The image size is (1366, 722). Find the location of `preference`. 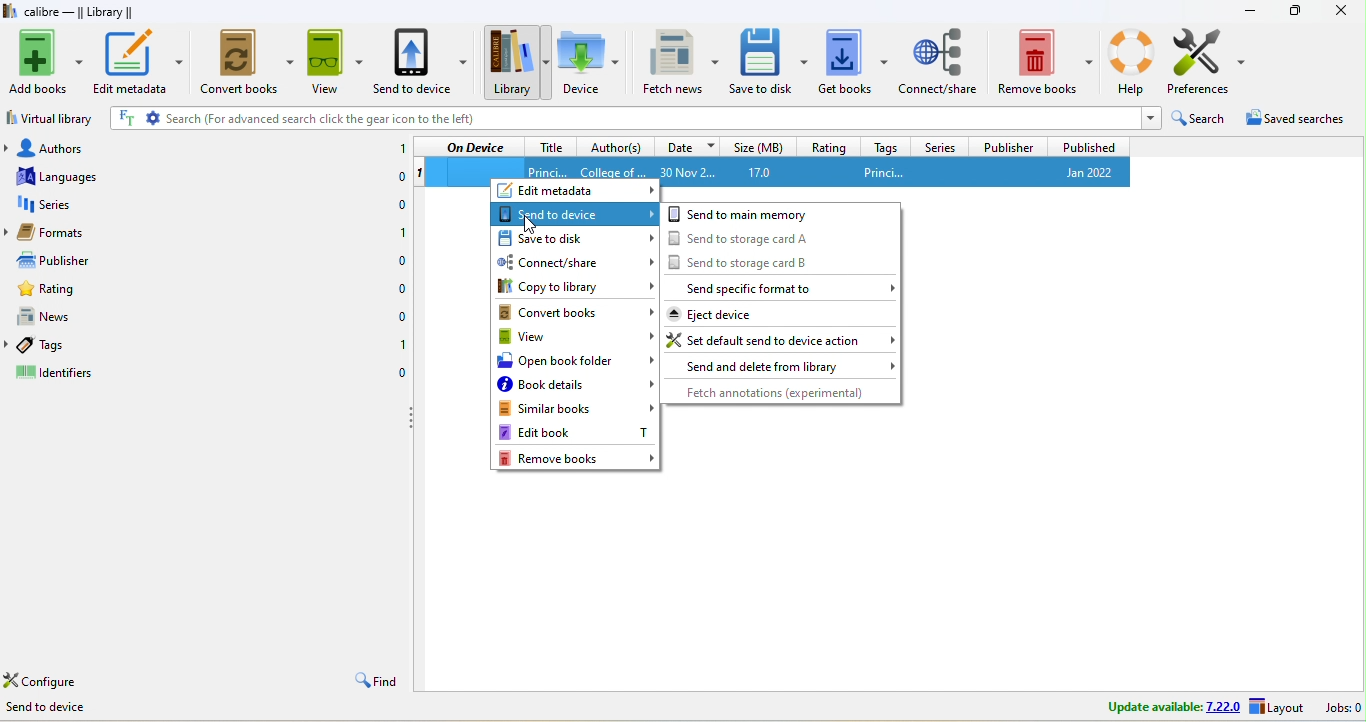

preference is located at coordinates (1209, 62).